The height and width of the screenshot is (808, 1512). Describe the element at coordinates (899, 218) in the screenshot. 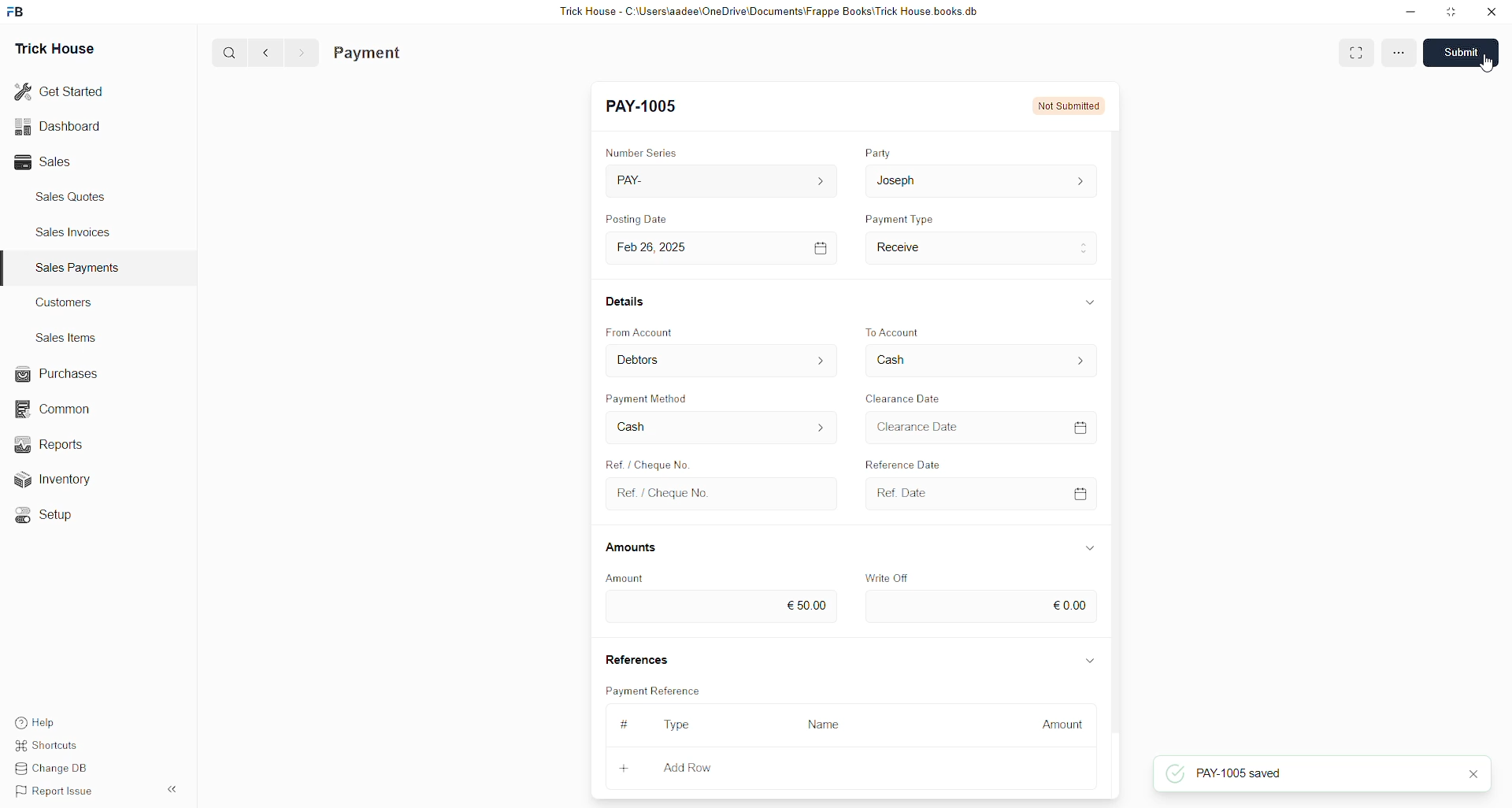

I see `Payment Type` at that location.